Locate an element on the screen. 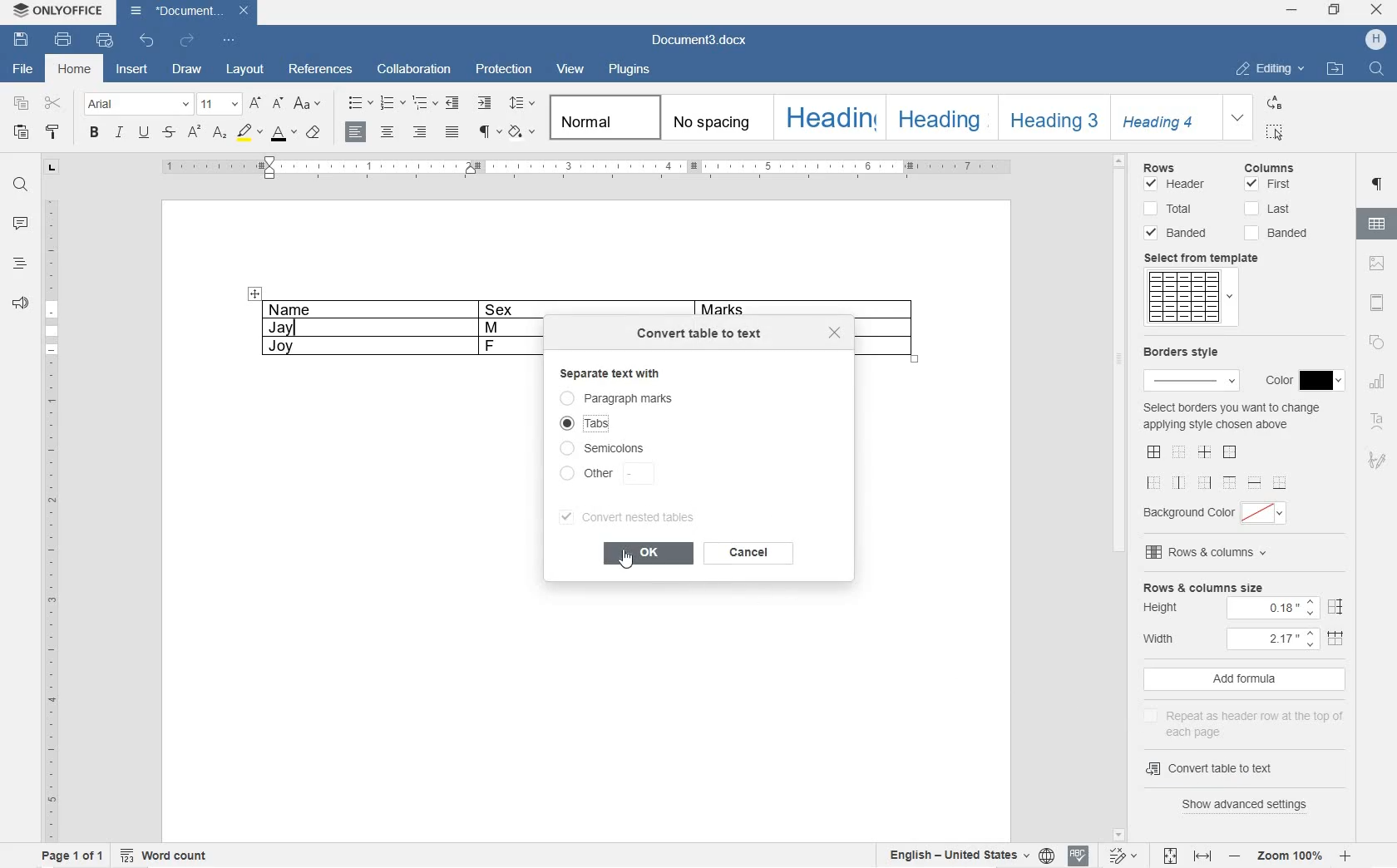 This screenshot has height=868, width=1397. RULER is located at coordinates (588, 169).